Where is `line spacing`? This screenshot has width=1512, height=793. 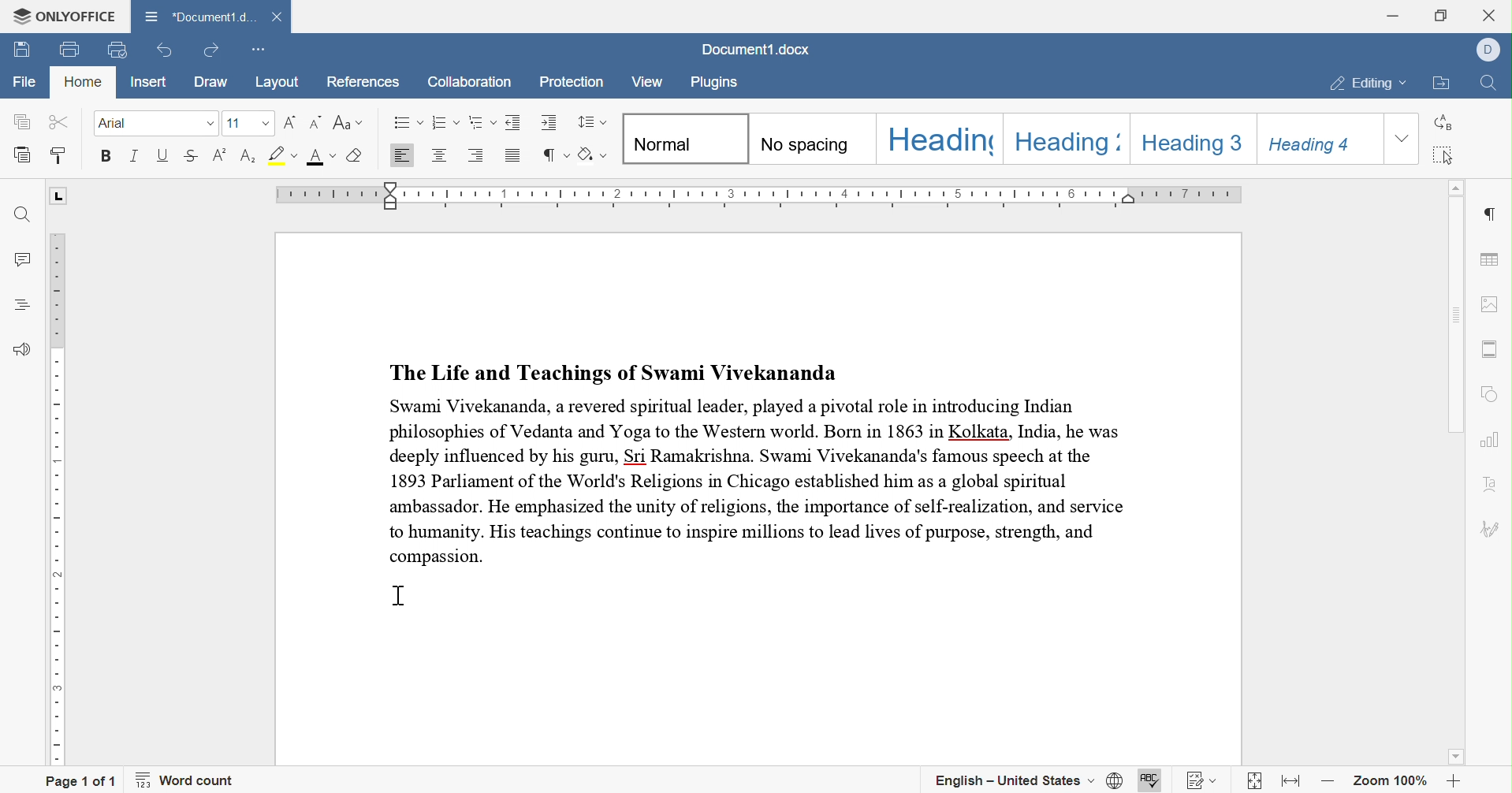 line spacing is located at coordinates (590, 122).